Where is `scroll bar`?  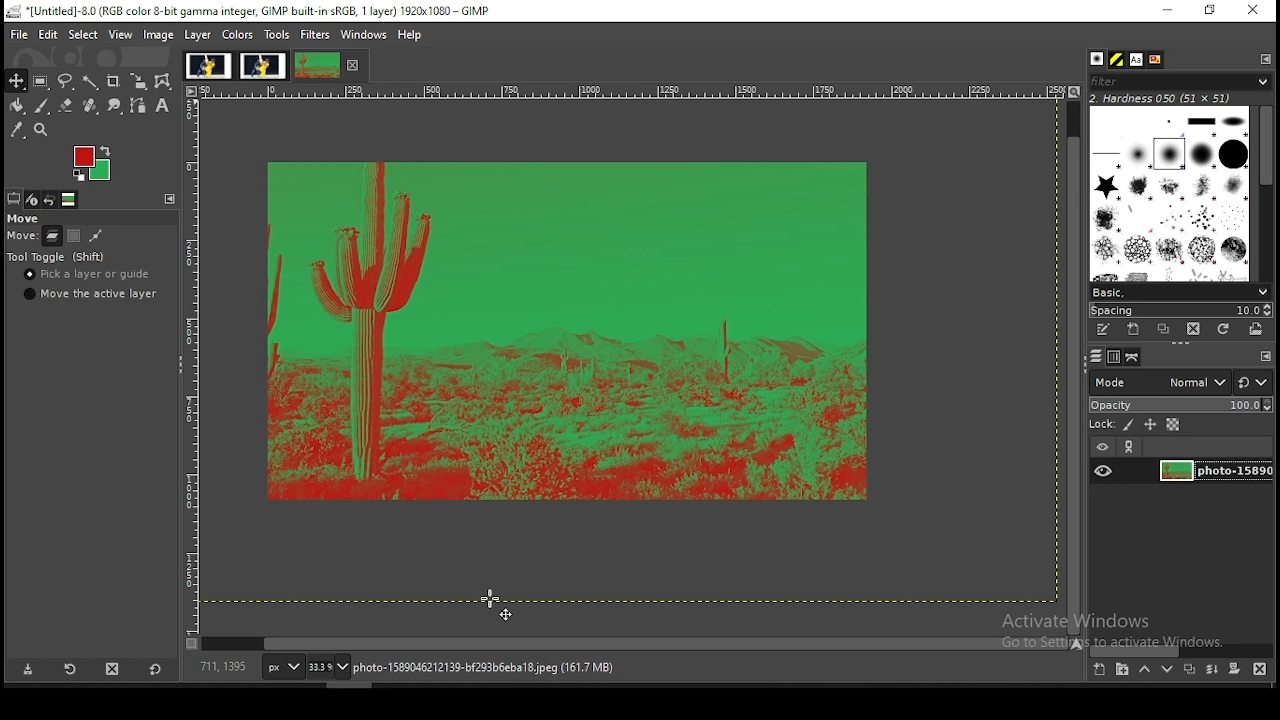 scroll bar is located at coordinates (636, 644).